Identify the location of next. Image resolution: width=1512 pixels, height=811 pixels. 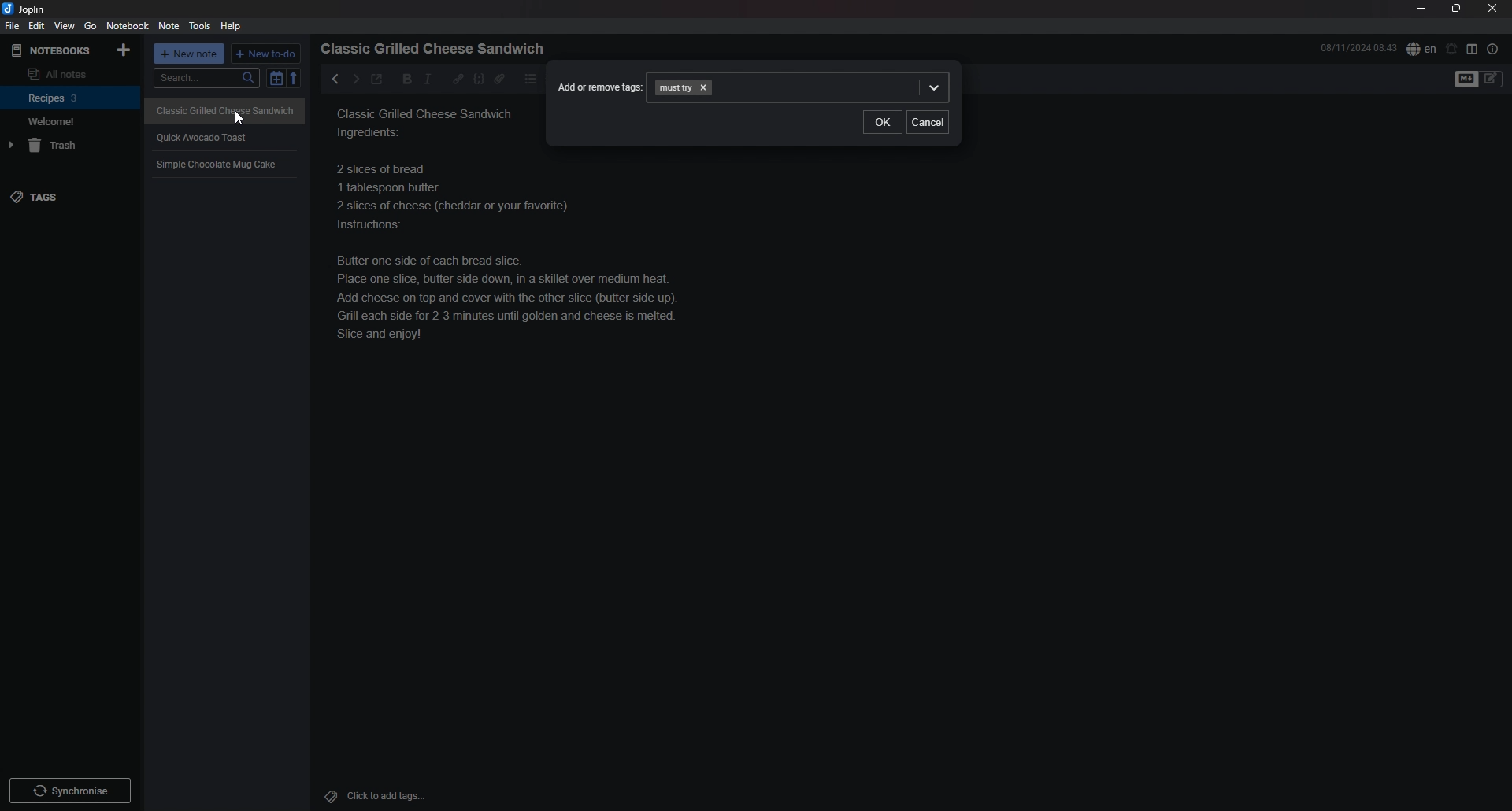
(354, 79).